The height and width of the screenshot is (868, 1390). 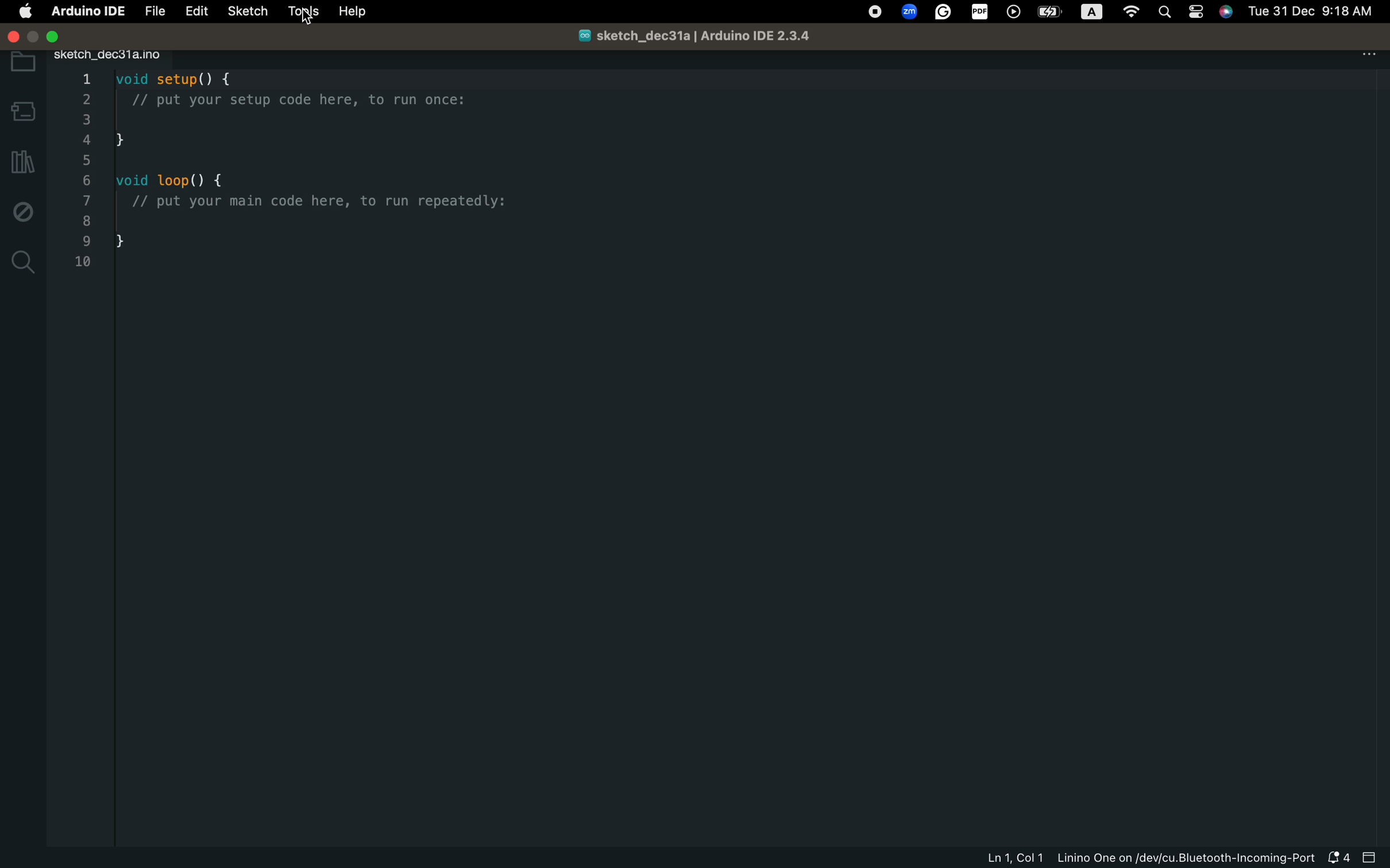 What do you see at coordinates (1051, 11) in the screenshot?
I see `battery` at bounding box center [1051, 11].